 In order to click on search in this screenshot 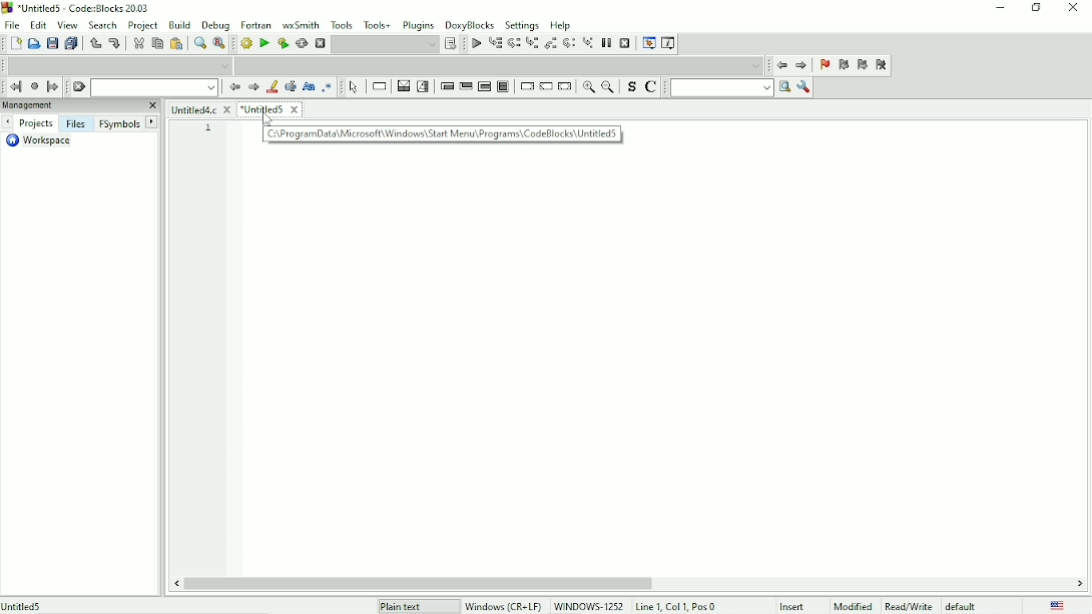, I will do `click(785, 86)`.